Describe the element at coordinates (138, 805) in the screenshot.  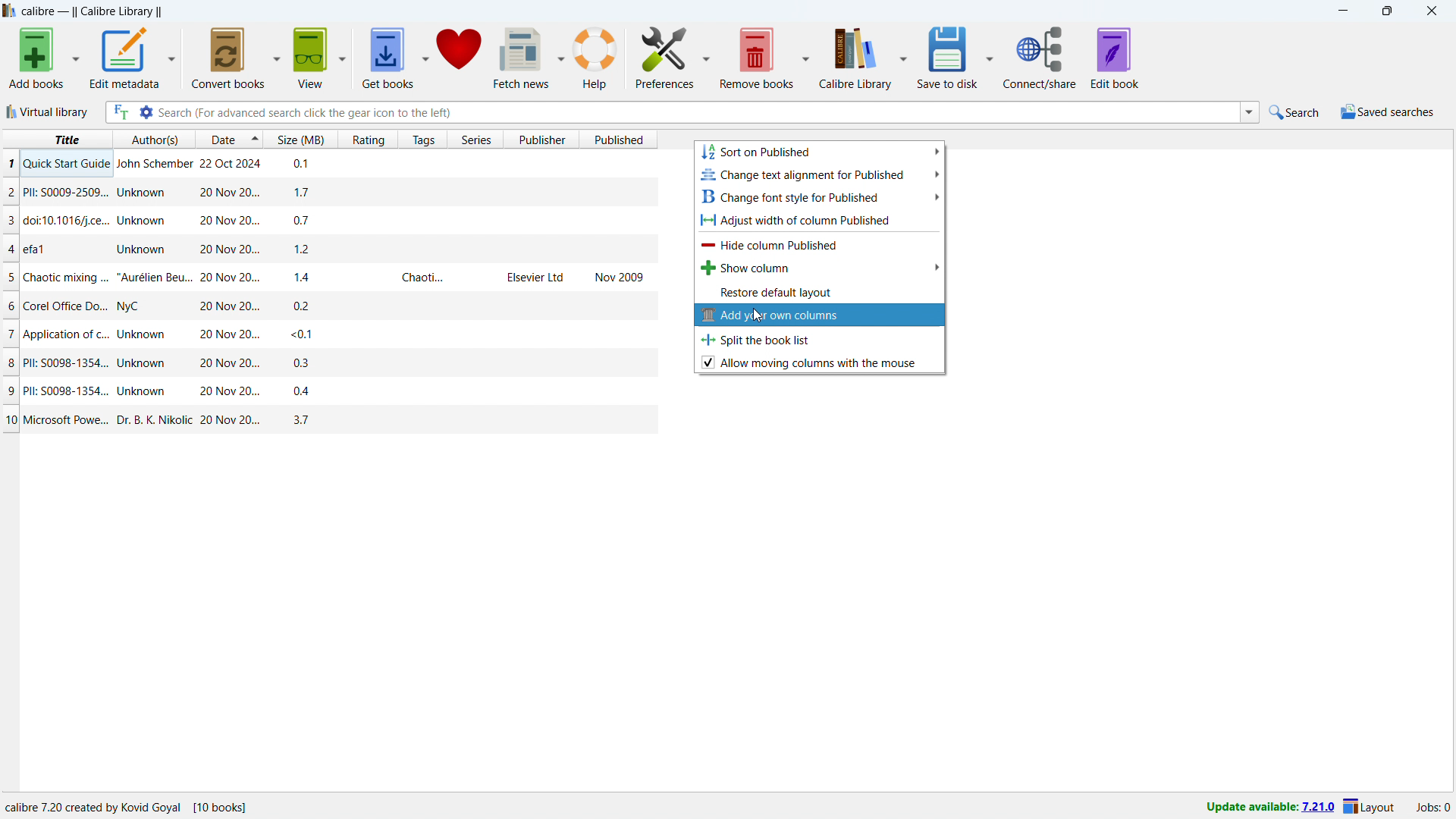
I see `calibre 7.20 created by Kovid goyal (10 books)` at that location.